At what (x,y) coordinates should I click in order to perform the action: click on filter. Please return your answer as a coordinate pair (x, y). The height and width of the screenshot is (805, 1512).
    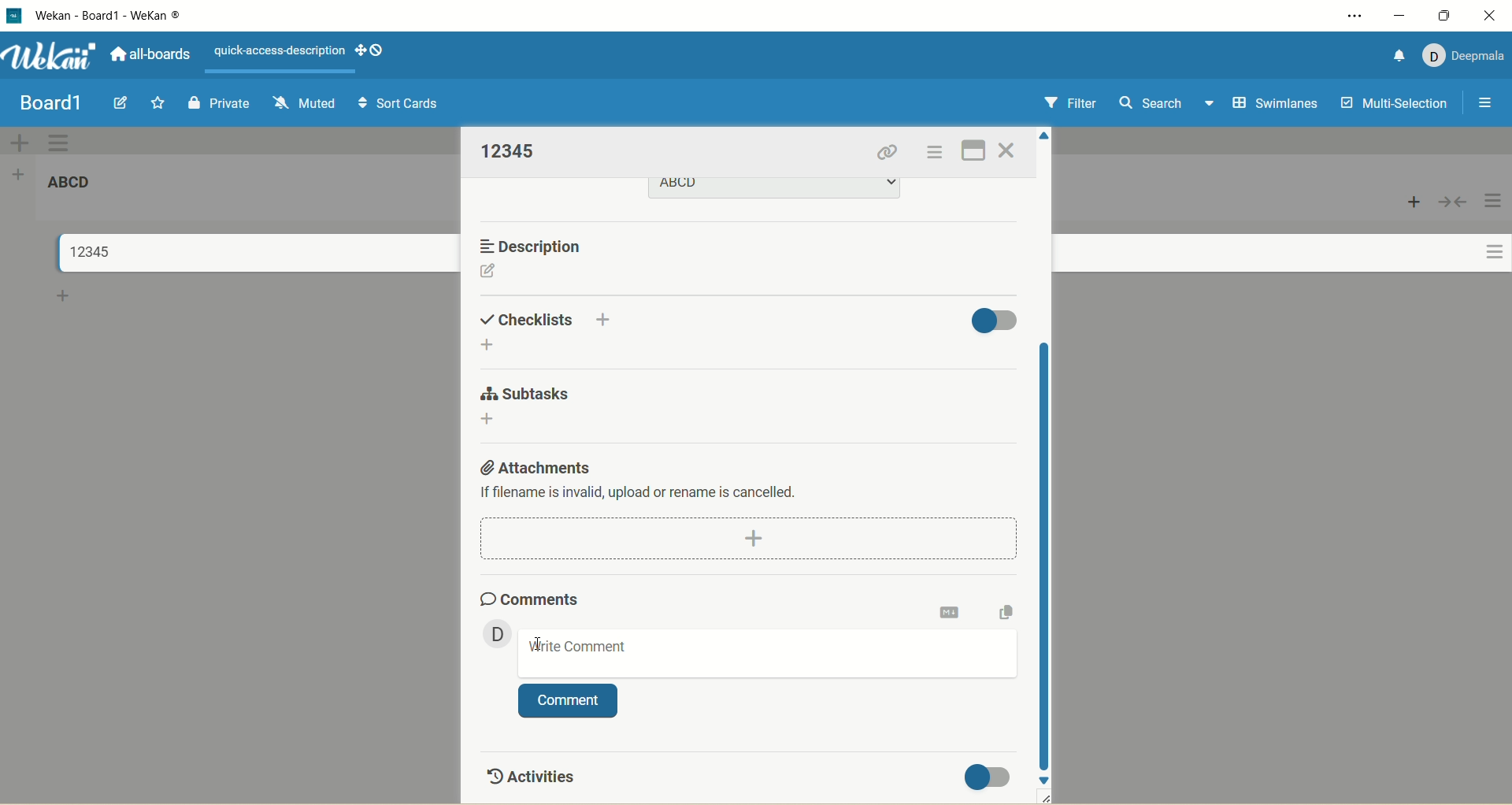
    Looking at the image, I should click on (1067, 105).